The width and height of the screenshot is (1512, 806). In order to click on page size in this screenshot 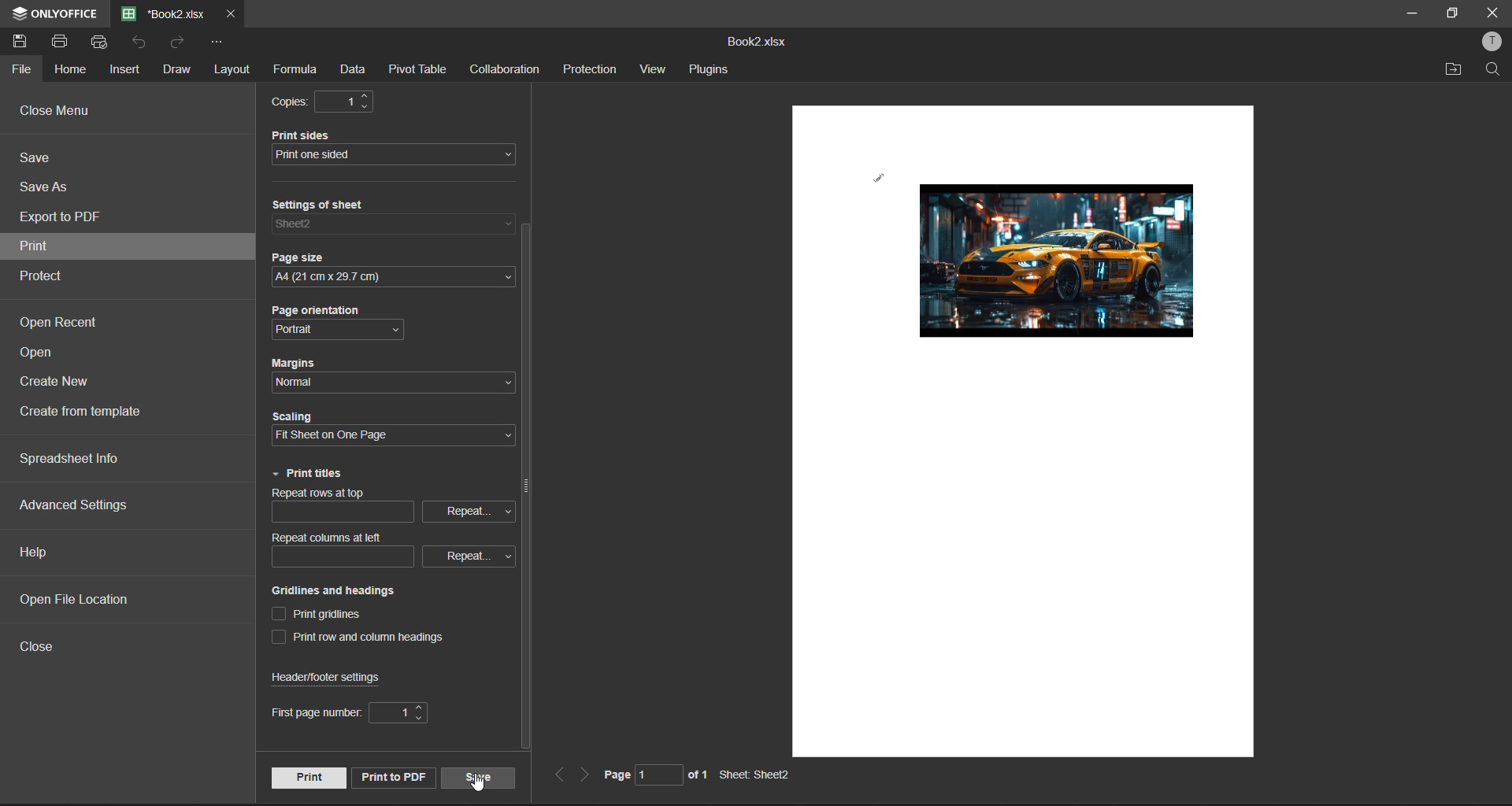, I will do `click(308, 260)`.